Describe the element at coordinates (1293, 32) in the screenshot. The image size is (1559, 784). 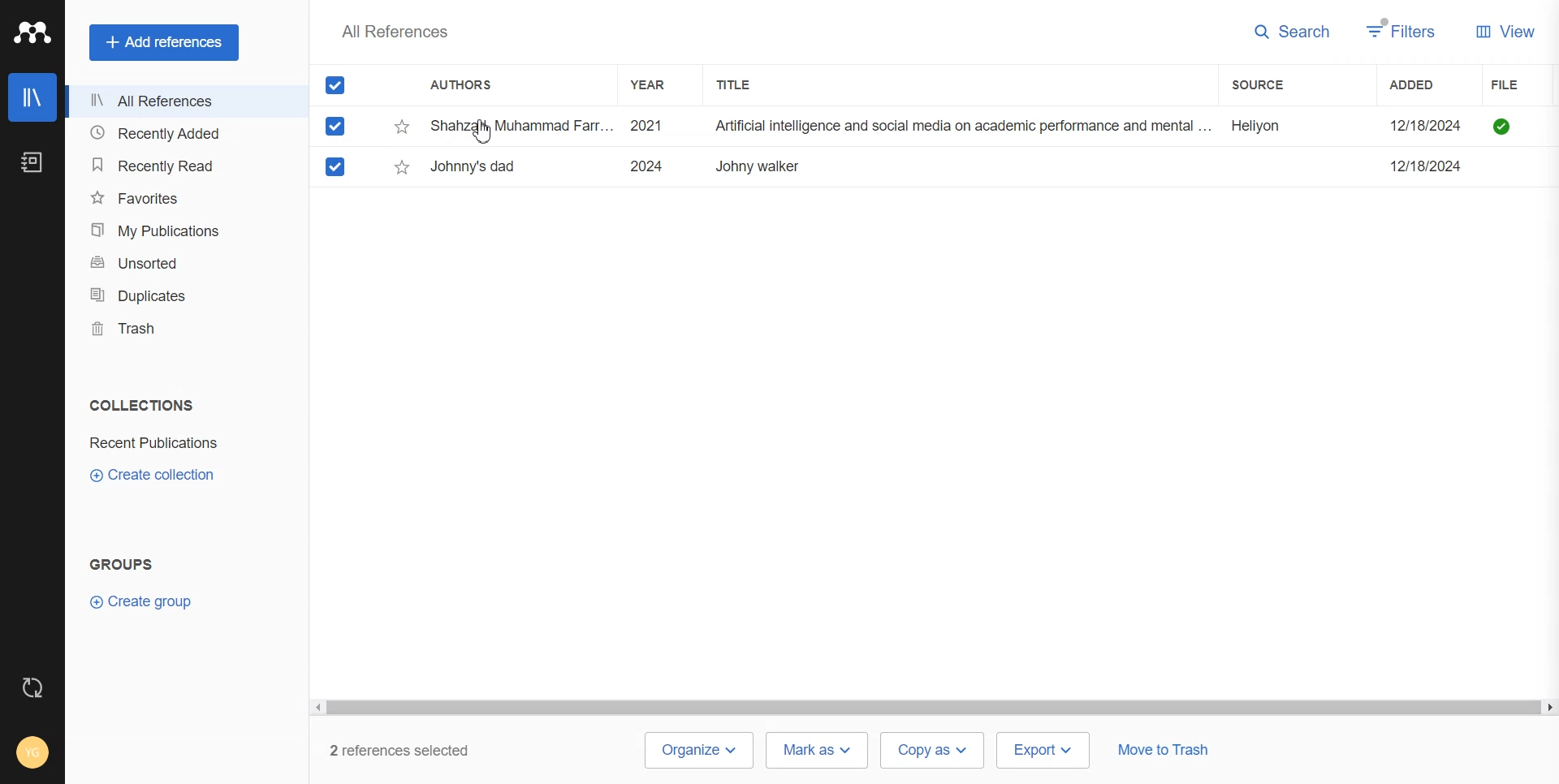
I see `Search` at that location.